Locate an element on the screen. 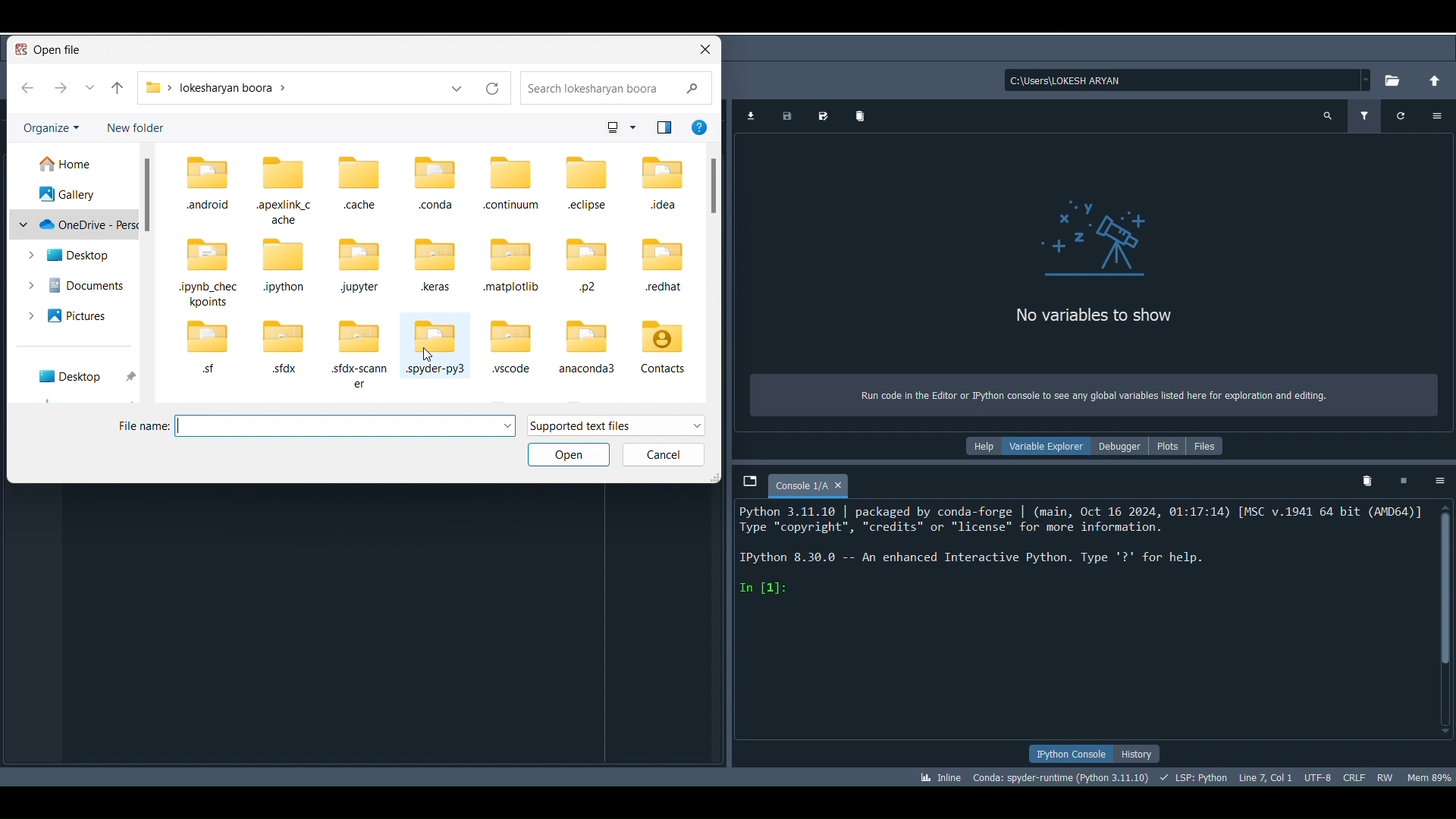  Interrupt kernel is located at coordinates (1401, 482).